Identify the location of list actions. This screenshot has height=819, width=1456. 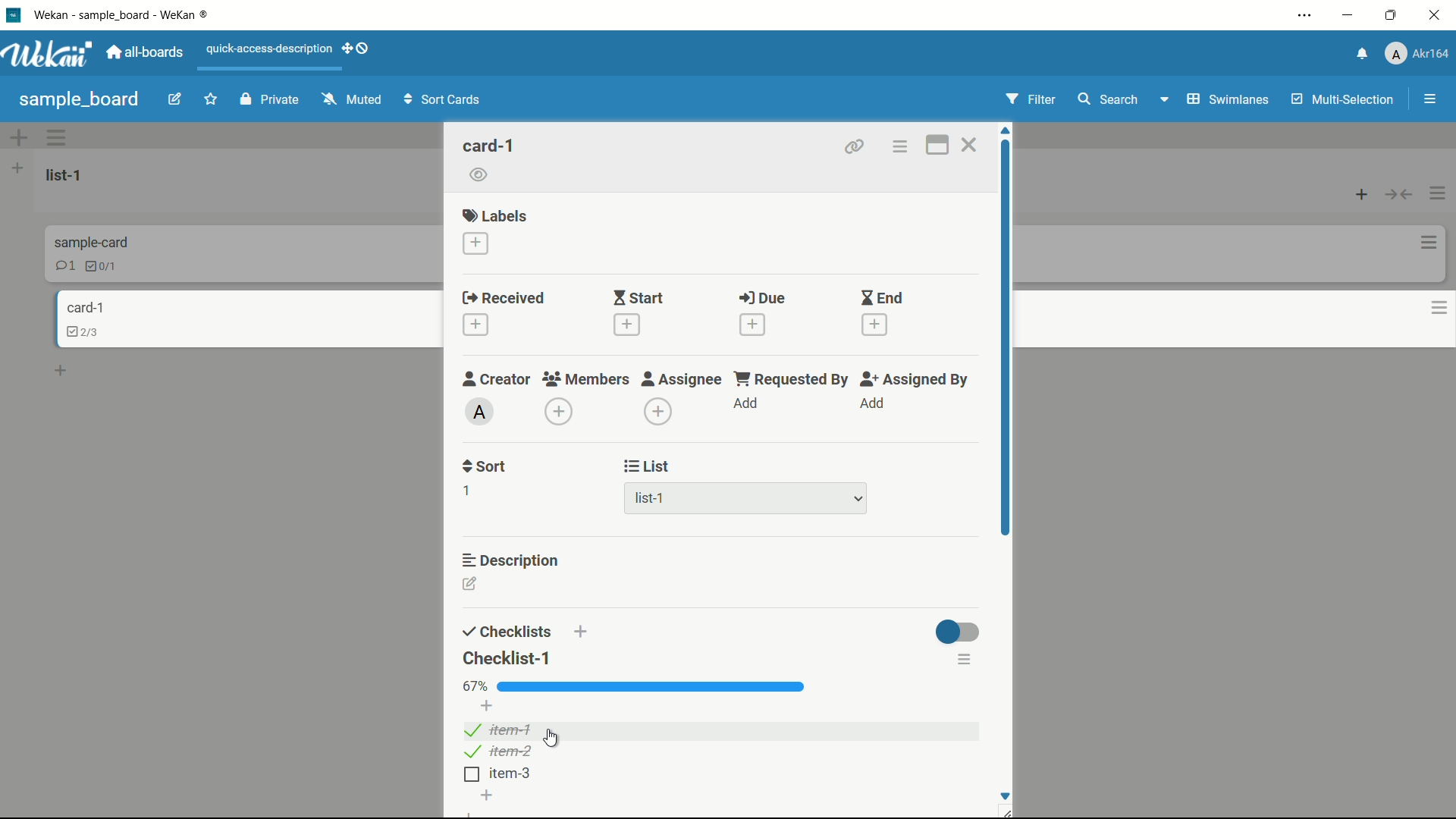
(1437, 193).